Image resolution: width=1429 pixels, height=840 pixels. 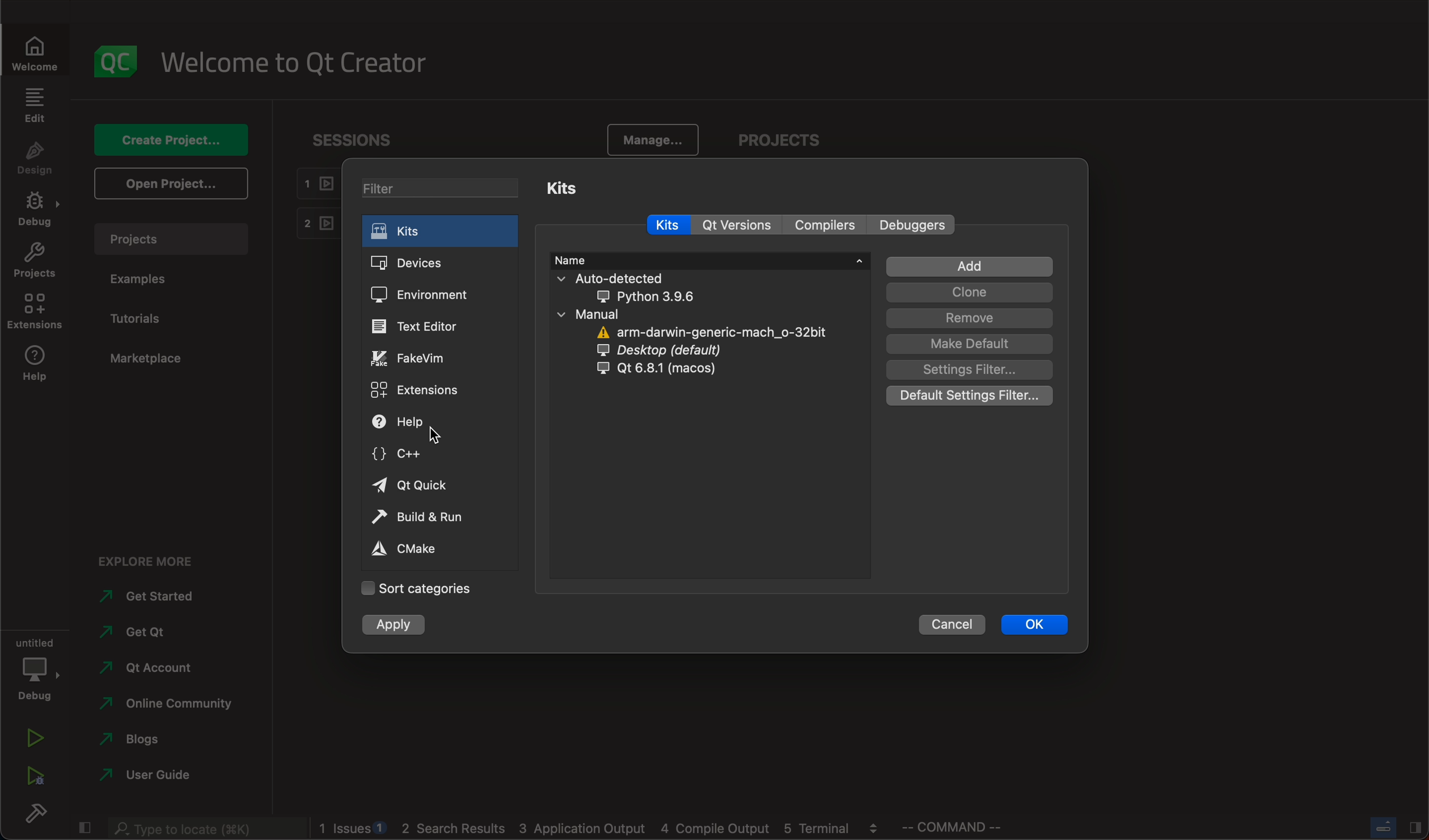 What do you see at coordinates (969, 828) in the screenshot?
I see `command` at bounding box center [969, 828].